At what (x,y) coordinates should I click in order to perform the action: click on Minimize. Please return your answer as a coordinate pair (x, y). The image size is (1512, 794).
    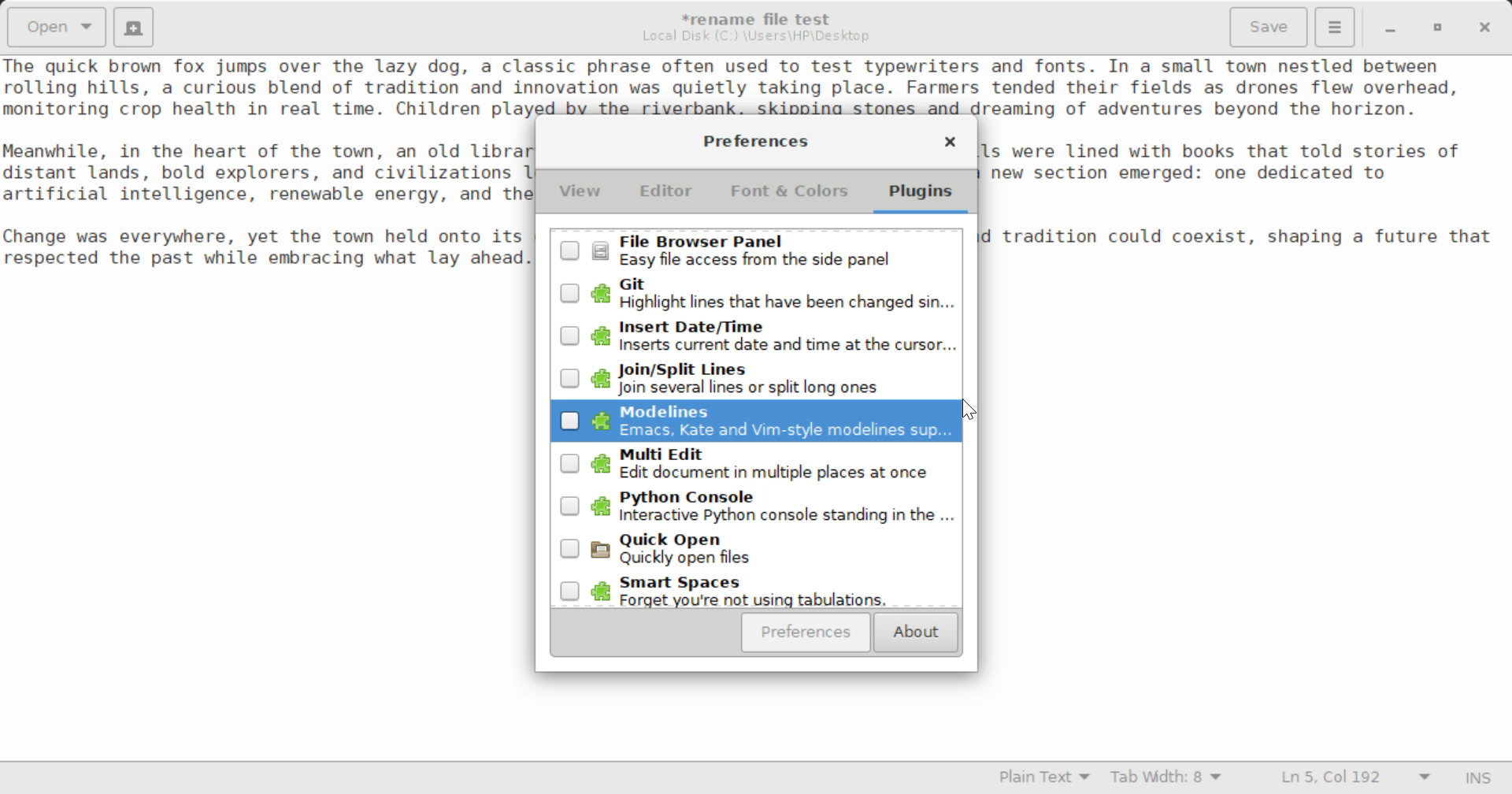
    Looking at the image, I should click on (1438, 28).